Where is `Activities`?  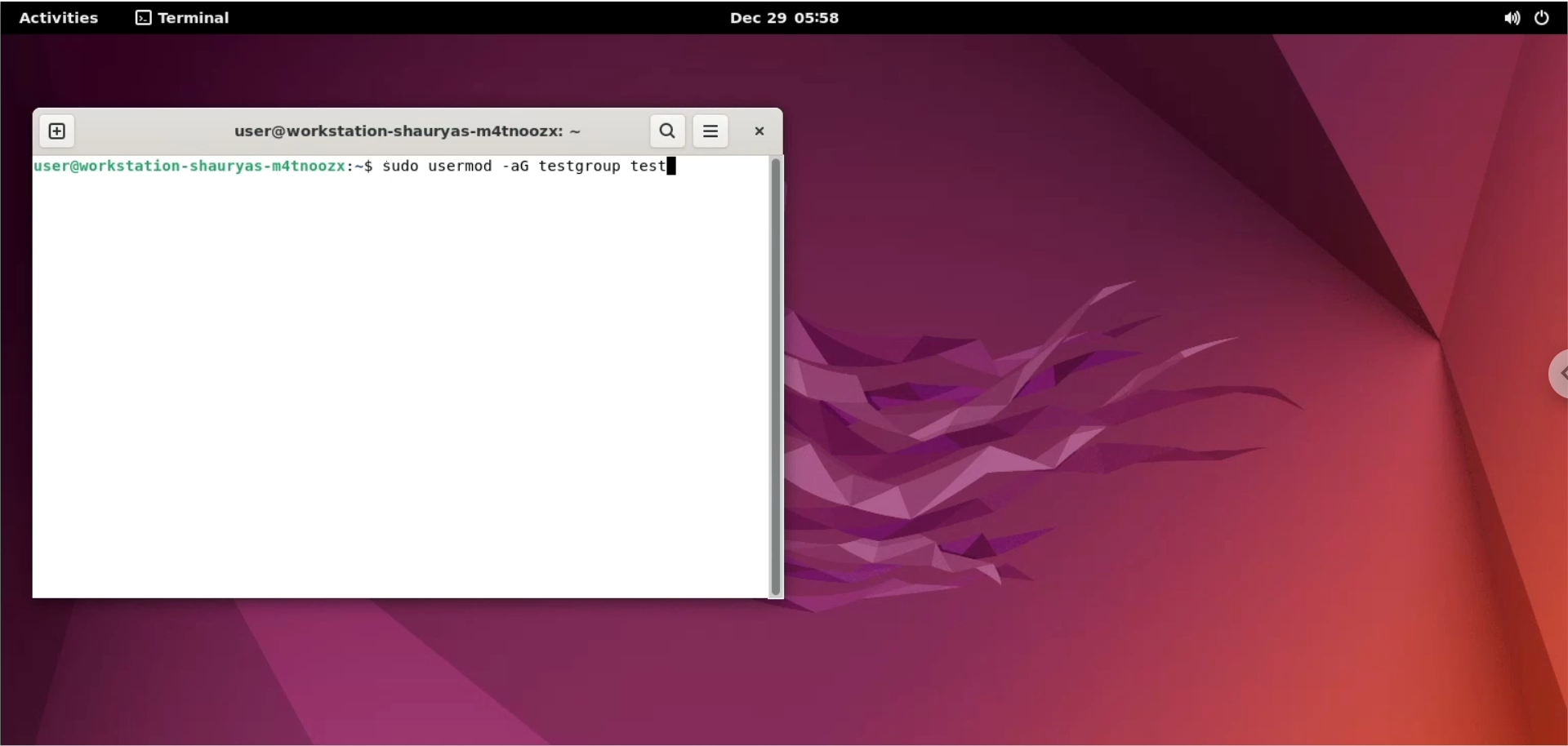
Activities is located at coordinates (61, 18).